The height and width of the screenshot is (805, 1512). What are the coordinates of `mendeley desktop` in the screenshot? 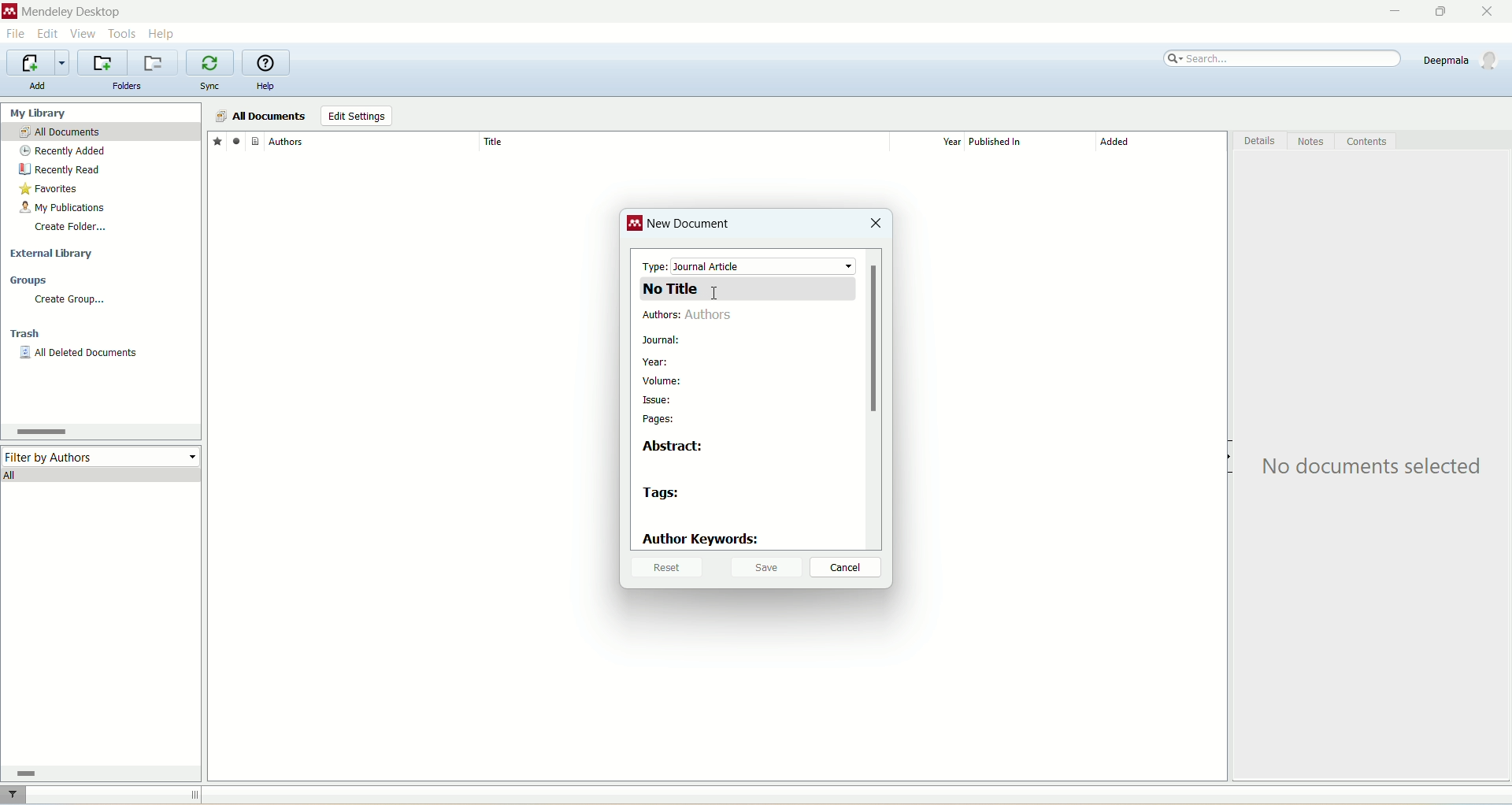 It's located at (69, 13).